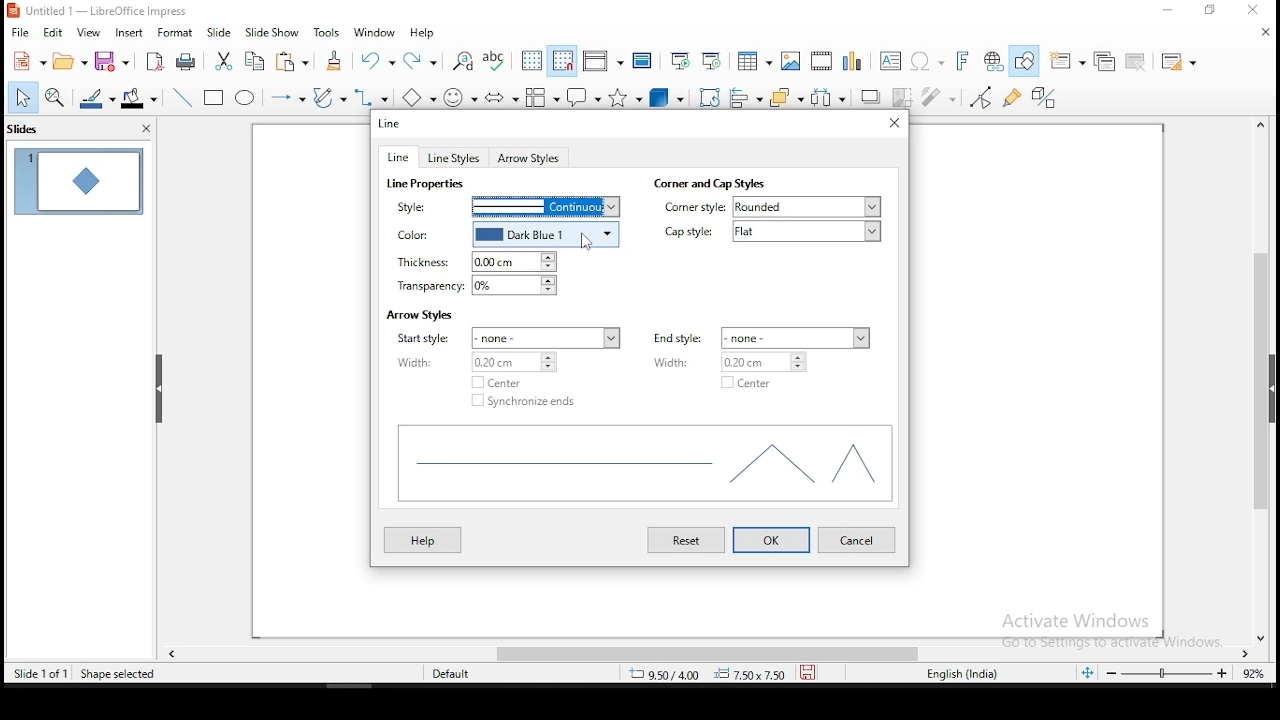  What do you see at coordinates (711, 95) in the screenshot?
I see `rotate` at bounding box center [711, 95].